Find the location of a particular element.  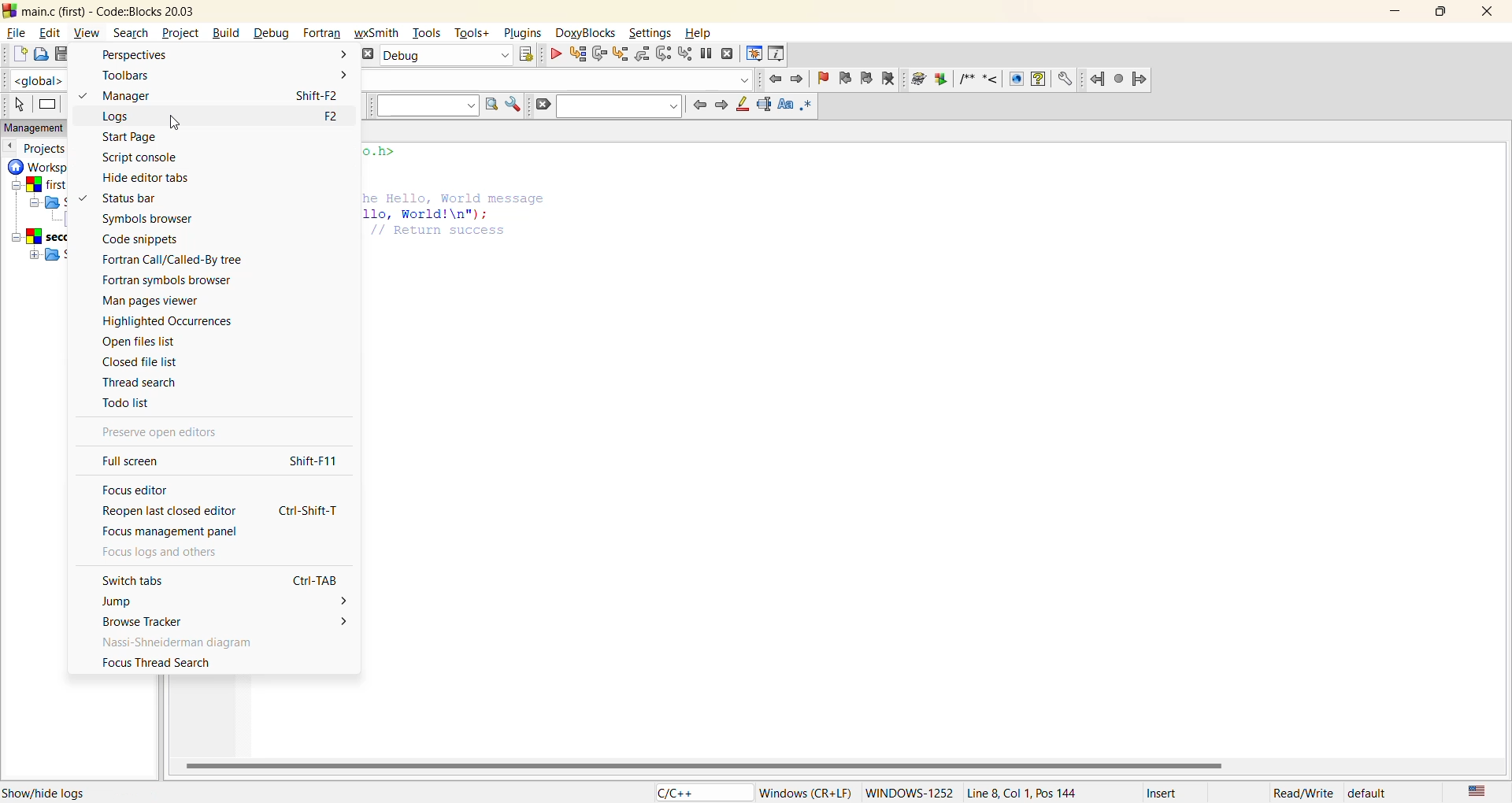

code snippets is located at coordinates (150, 239).